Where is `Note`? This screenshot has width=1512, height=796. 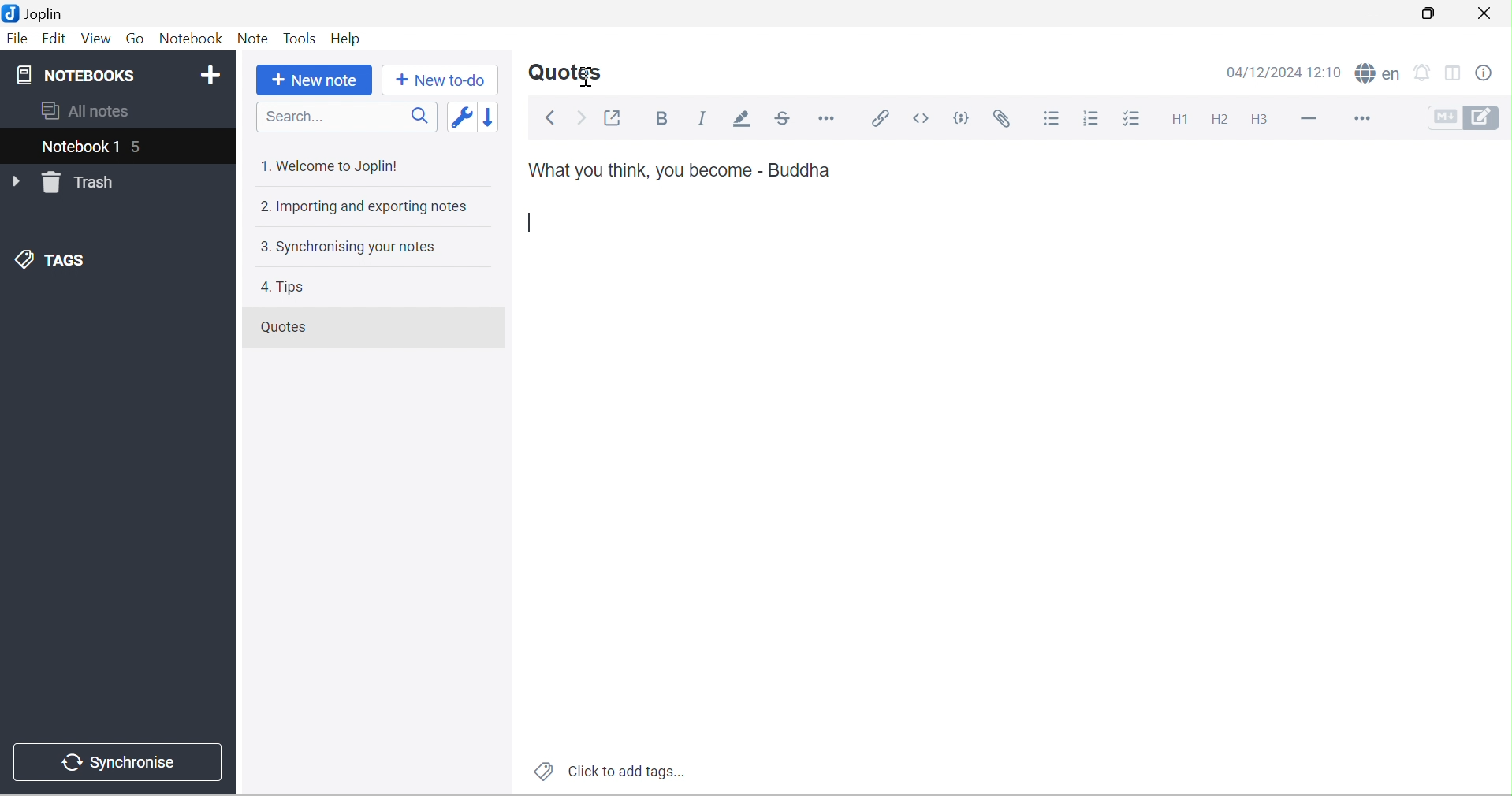
Note is located at coordinates (255, 39).